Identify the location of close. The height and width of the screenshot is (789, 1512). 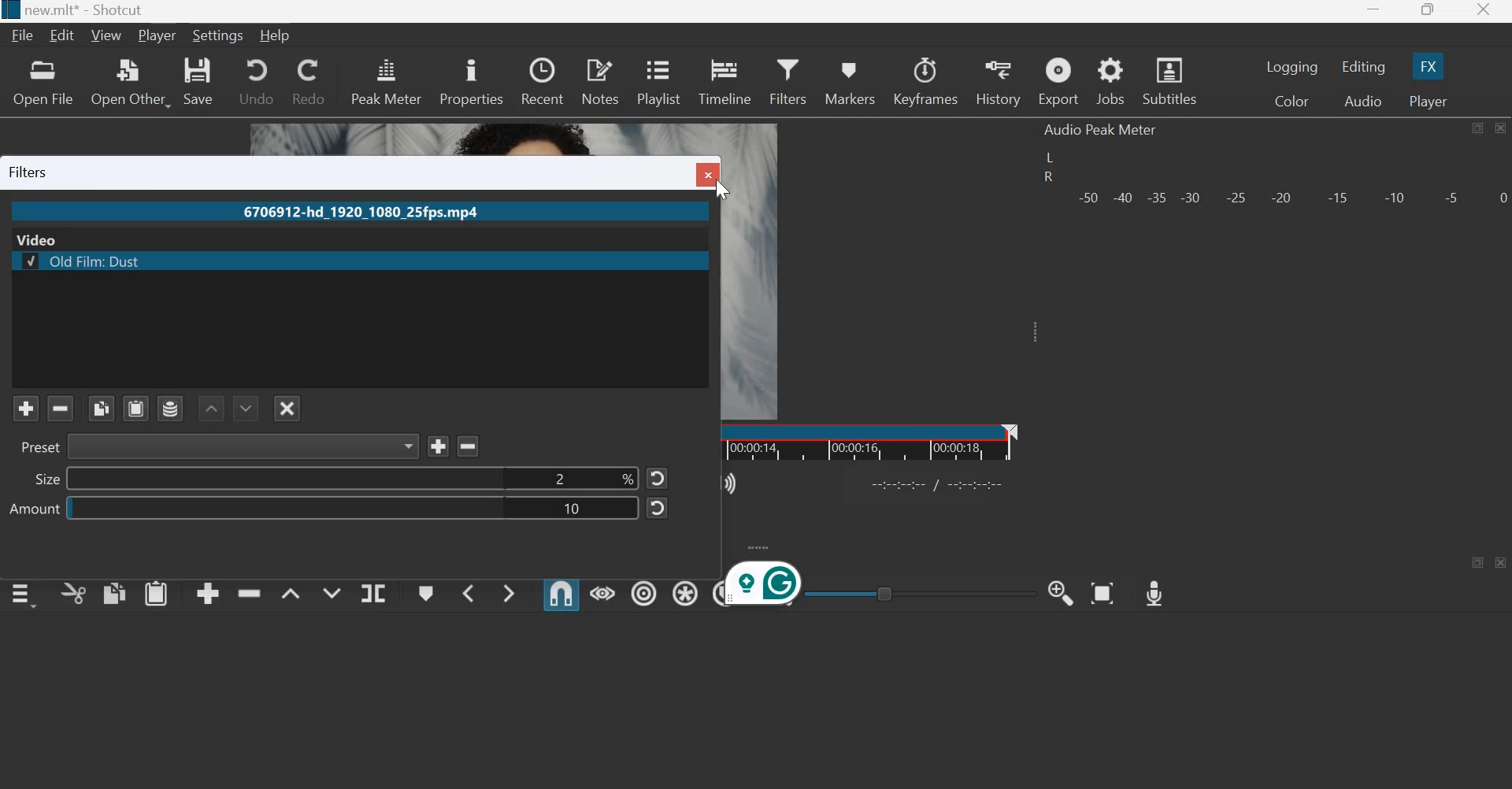
(1499, 128).